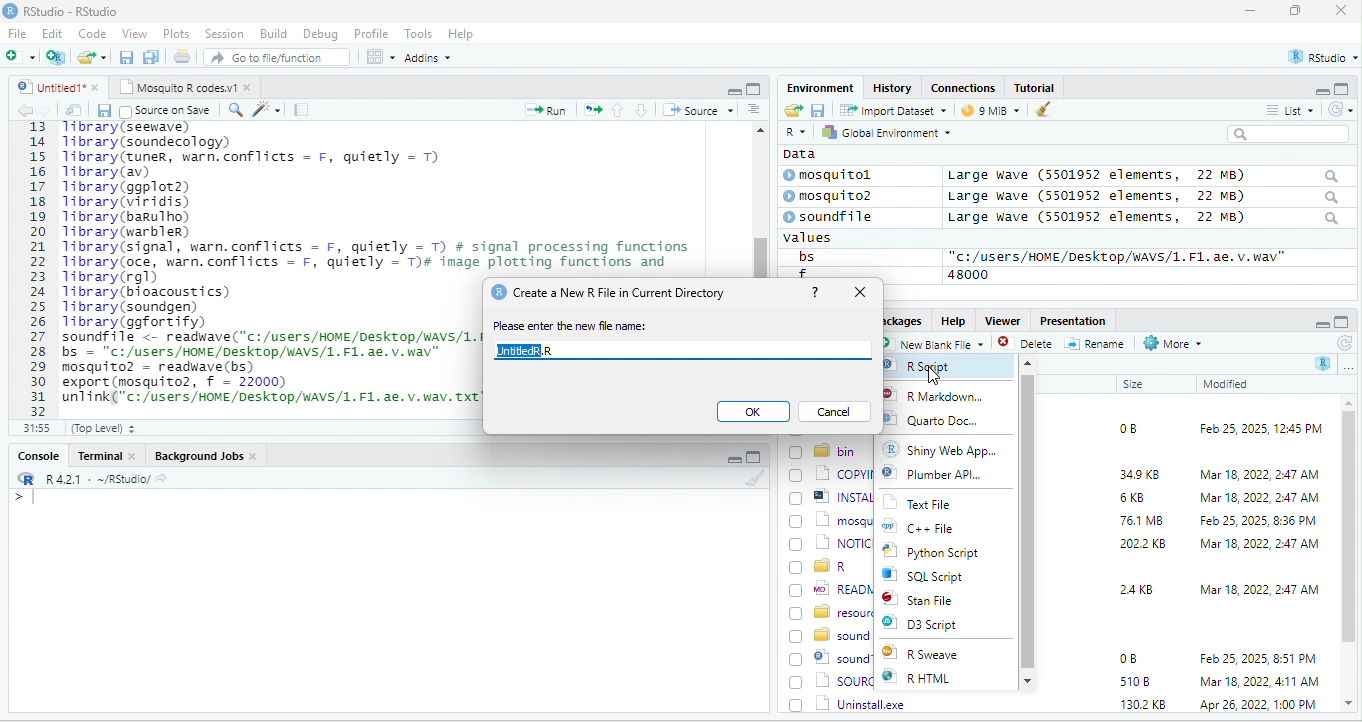 This screenshot has width=1362, height=722. What do you see at coordinates (1171, 344) in the screenshot?
I see ` More ` at bounding box center [1171, 344].